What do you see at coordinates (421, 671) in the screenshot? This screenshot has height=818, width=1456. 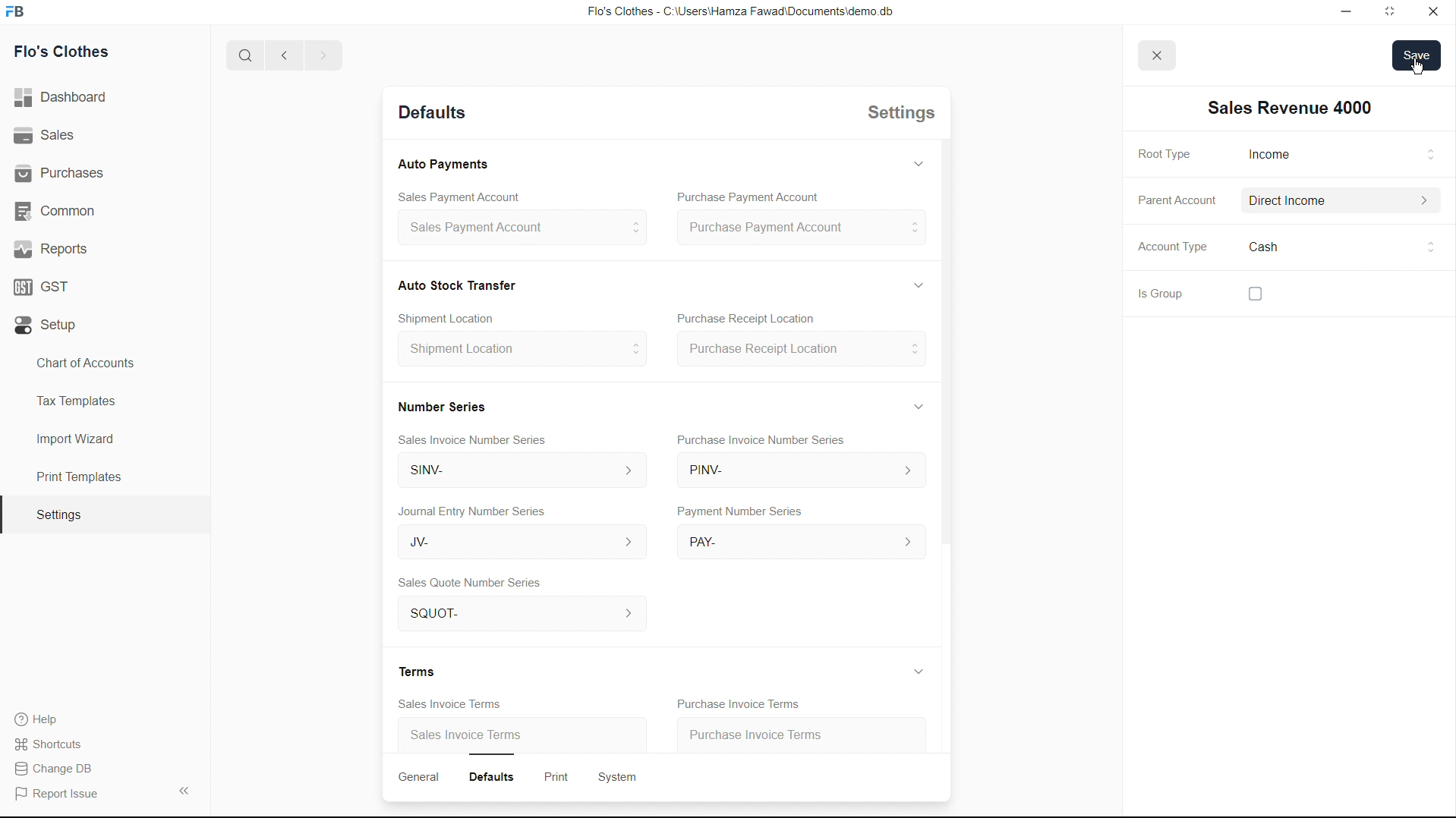 I see `Terms` at bounding box center [421, 671].